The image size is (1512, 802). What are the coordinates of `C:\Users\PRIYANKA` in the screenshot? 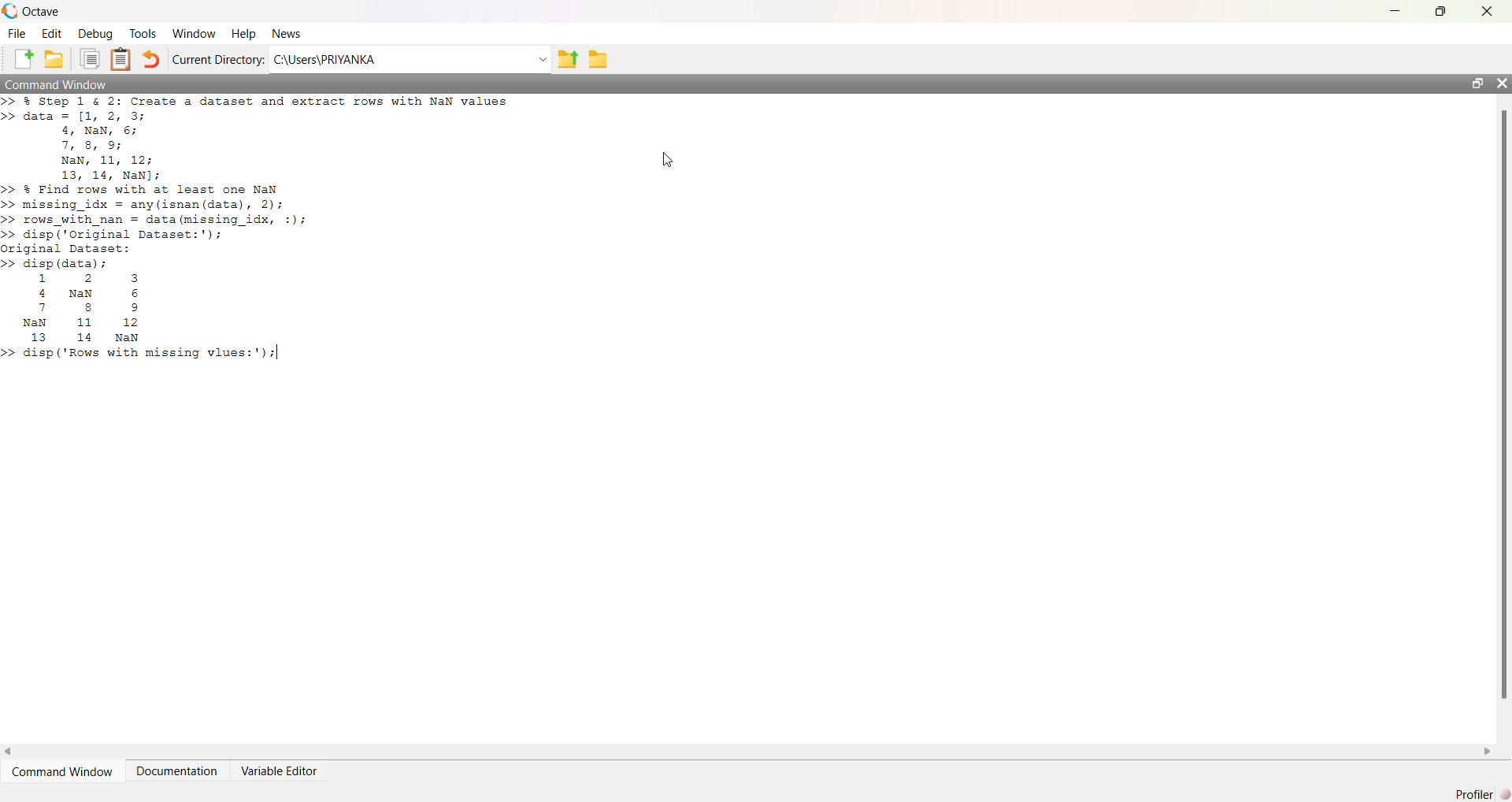 It's located at (324, 59).